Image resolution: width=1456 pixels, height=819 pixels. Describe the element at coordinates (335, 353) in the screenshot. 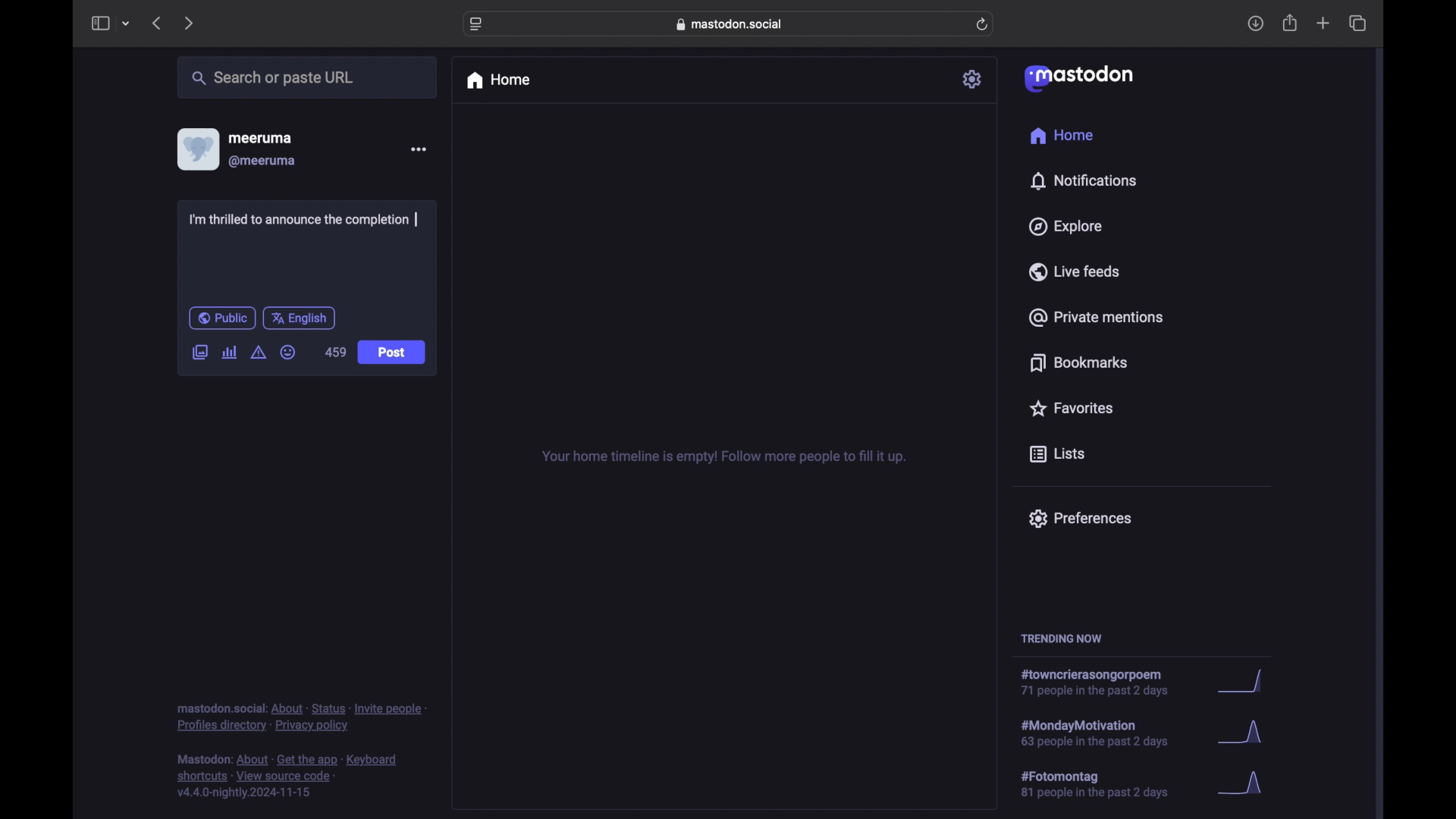

I see `459` at that location.